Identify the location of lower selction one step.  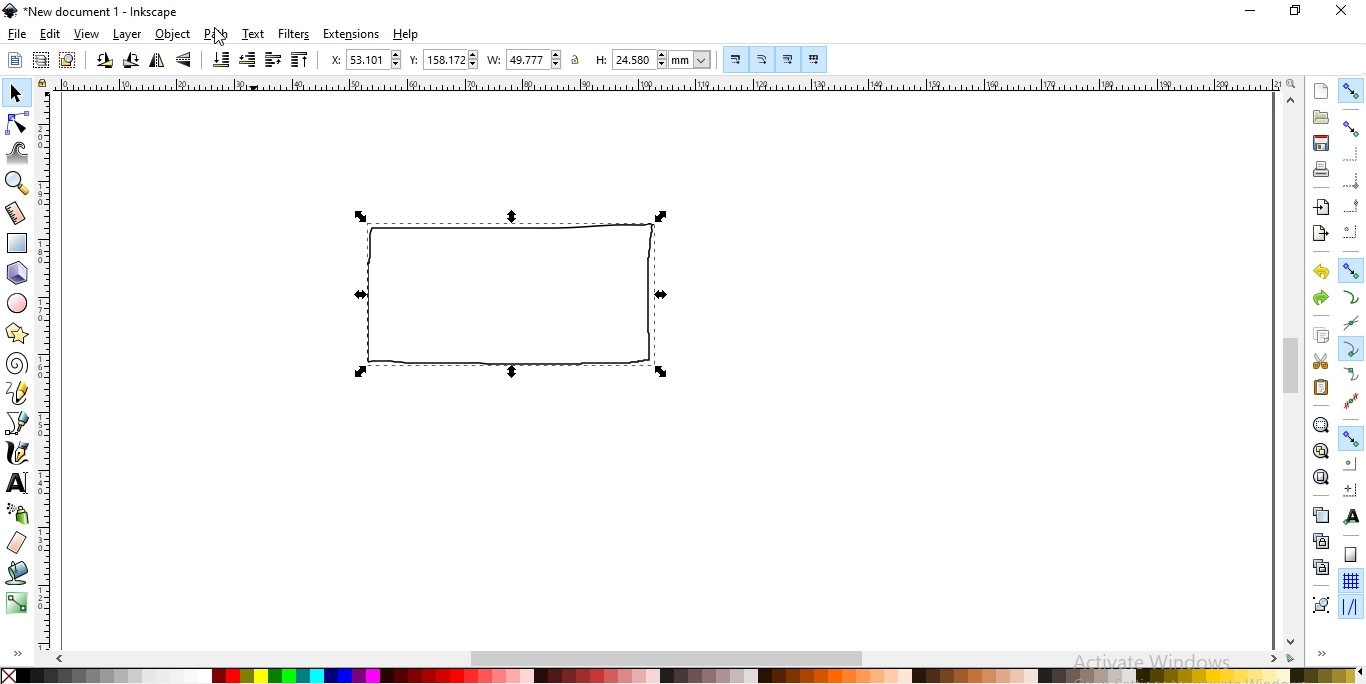
(246, 59).